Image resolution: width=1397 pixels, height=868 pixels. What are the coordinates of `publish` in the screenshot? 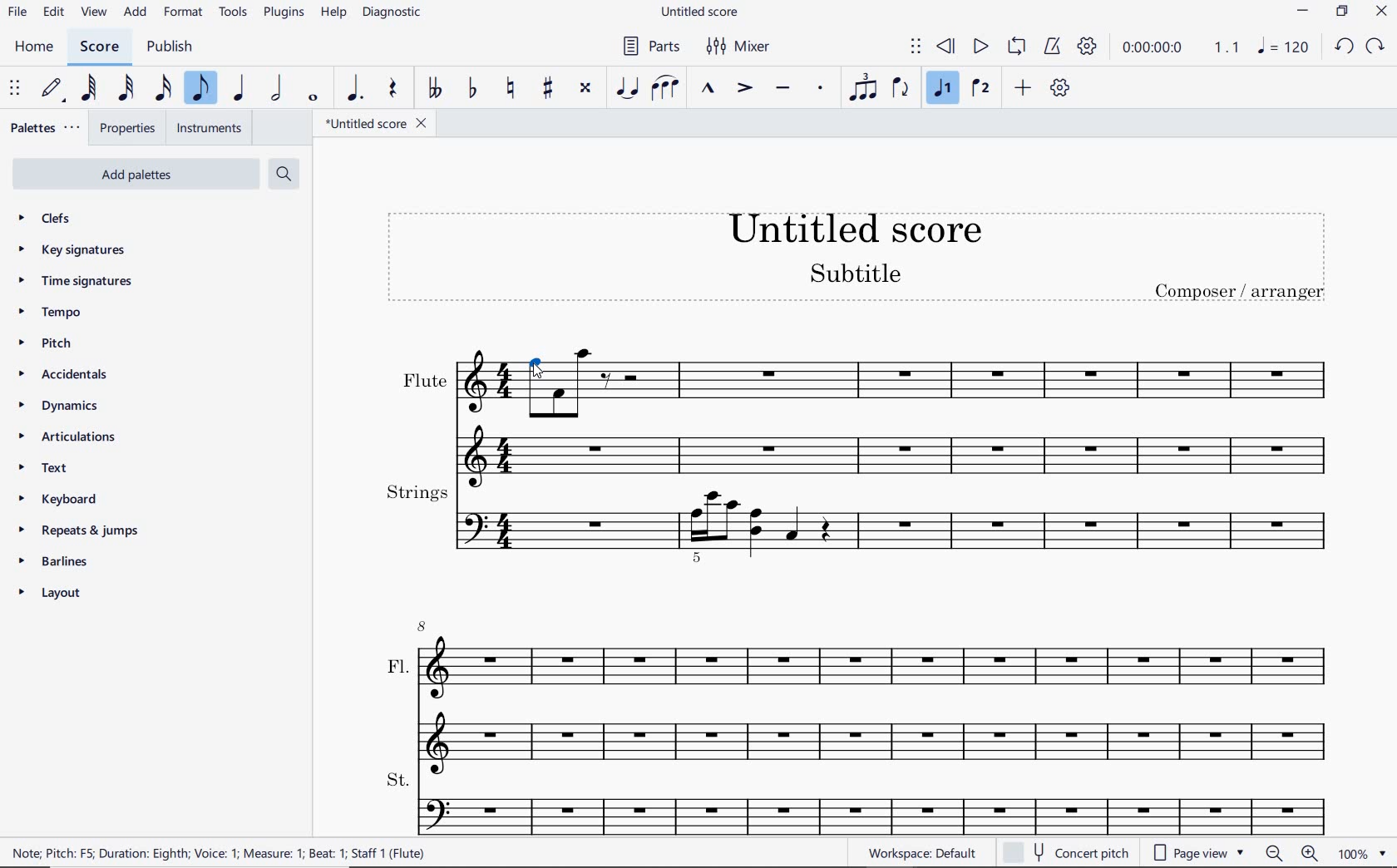 It's located at (169, 47).